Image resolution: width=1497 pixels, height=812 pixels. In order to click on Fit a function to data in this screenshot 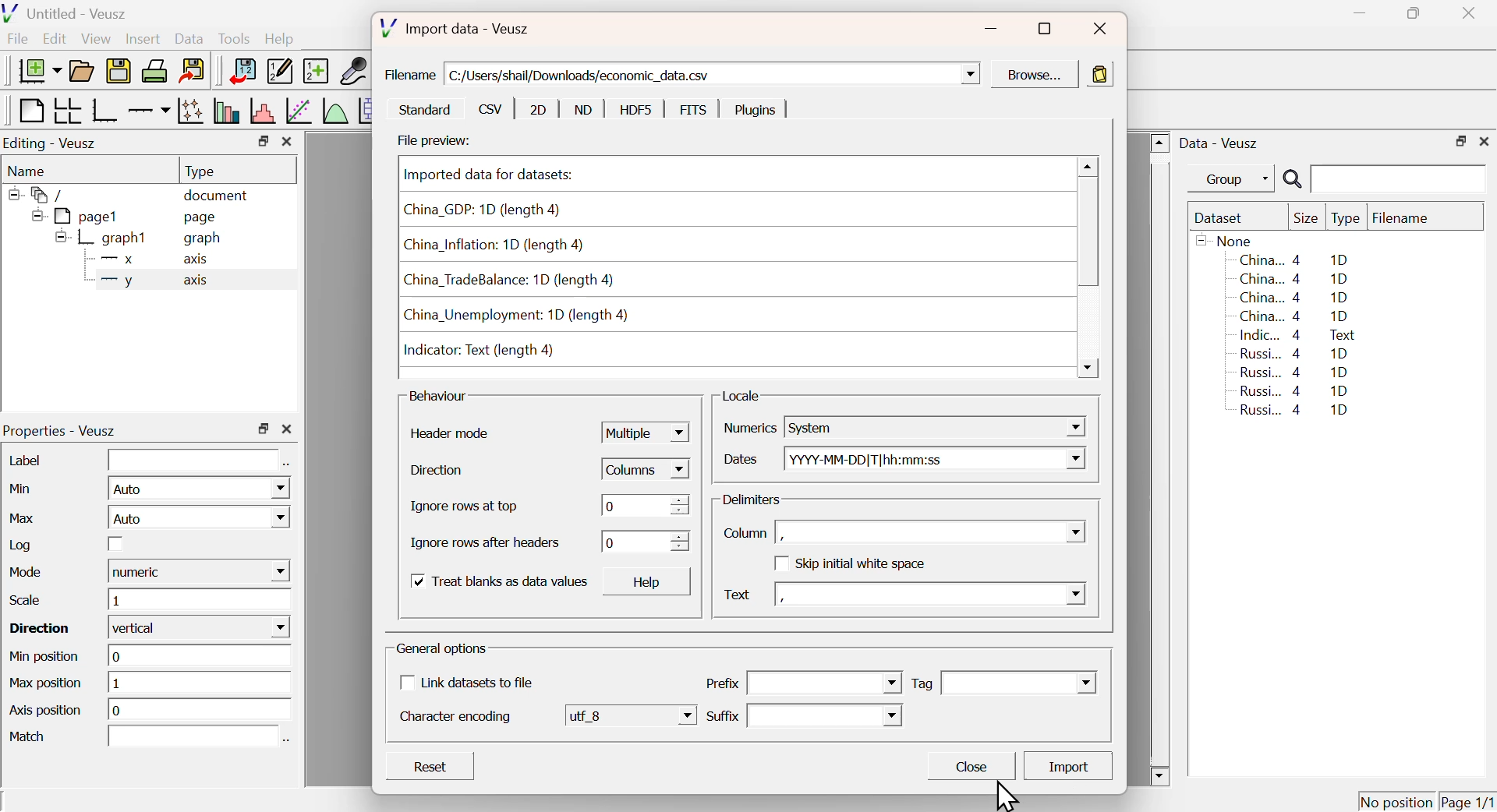, I will do `click(299, 112)`.